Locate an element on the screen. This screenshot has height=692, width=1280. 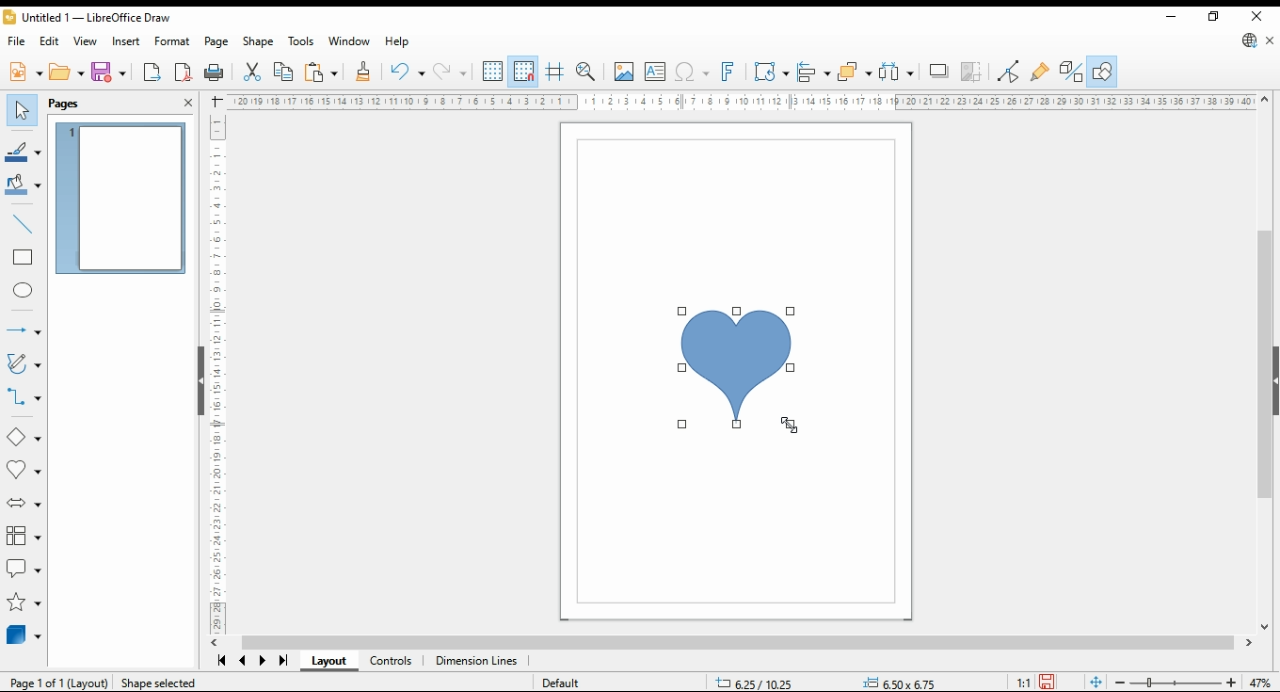
Shape selected is located at coordinates (169, 682).